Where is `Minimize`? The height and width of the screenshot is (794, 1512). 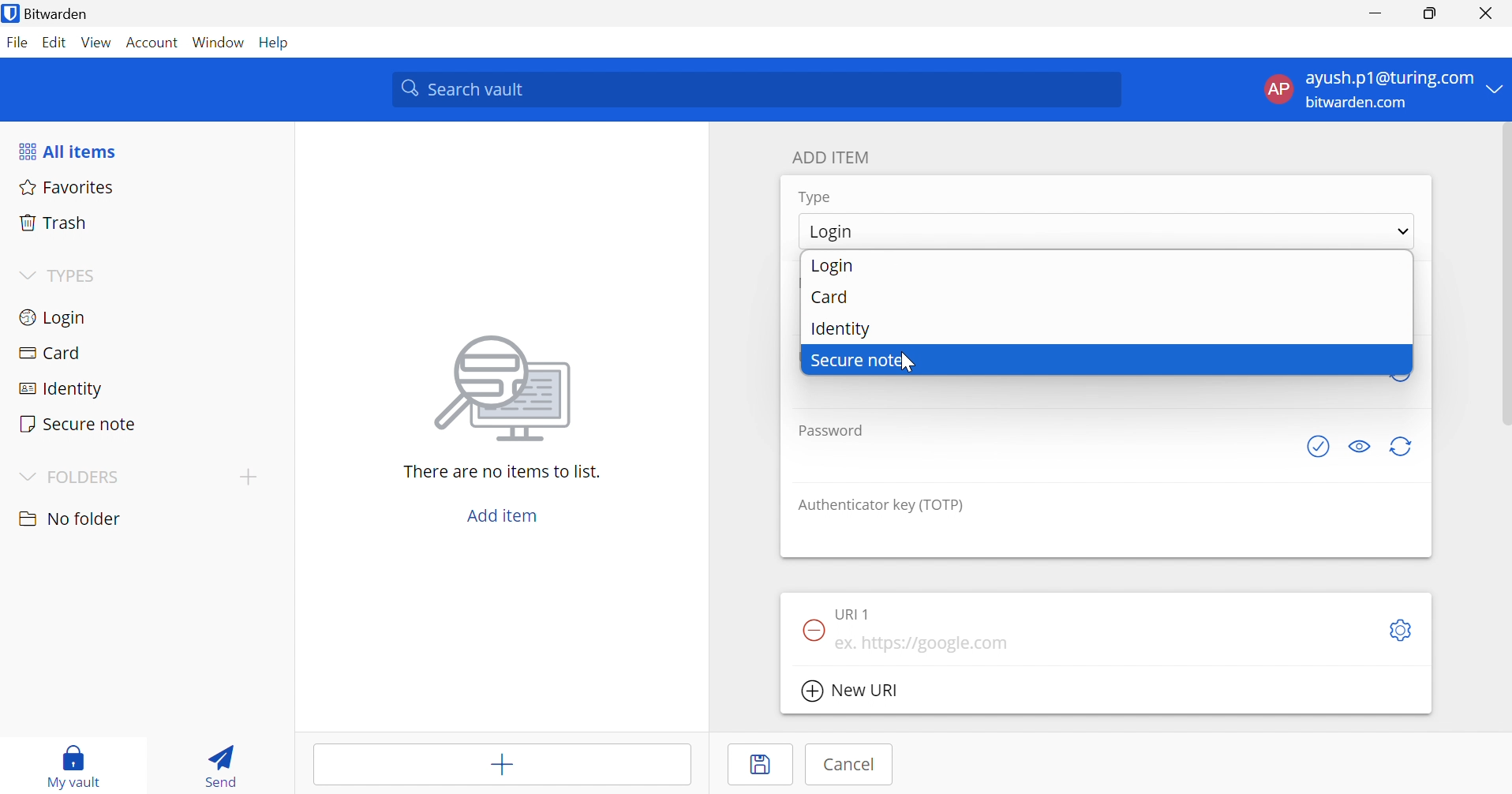
Minimize is located at coordinates (1375, 15).